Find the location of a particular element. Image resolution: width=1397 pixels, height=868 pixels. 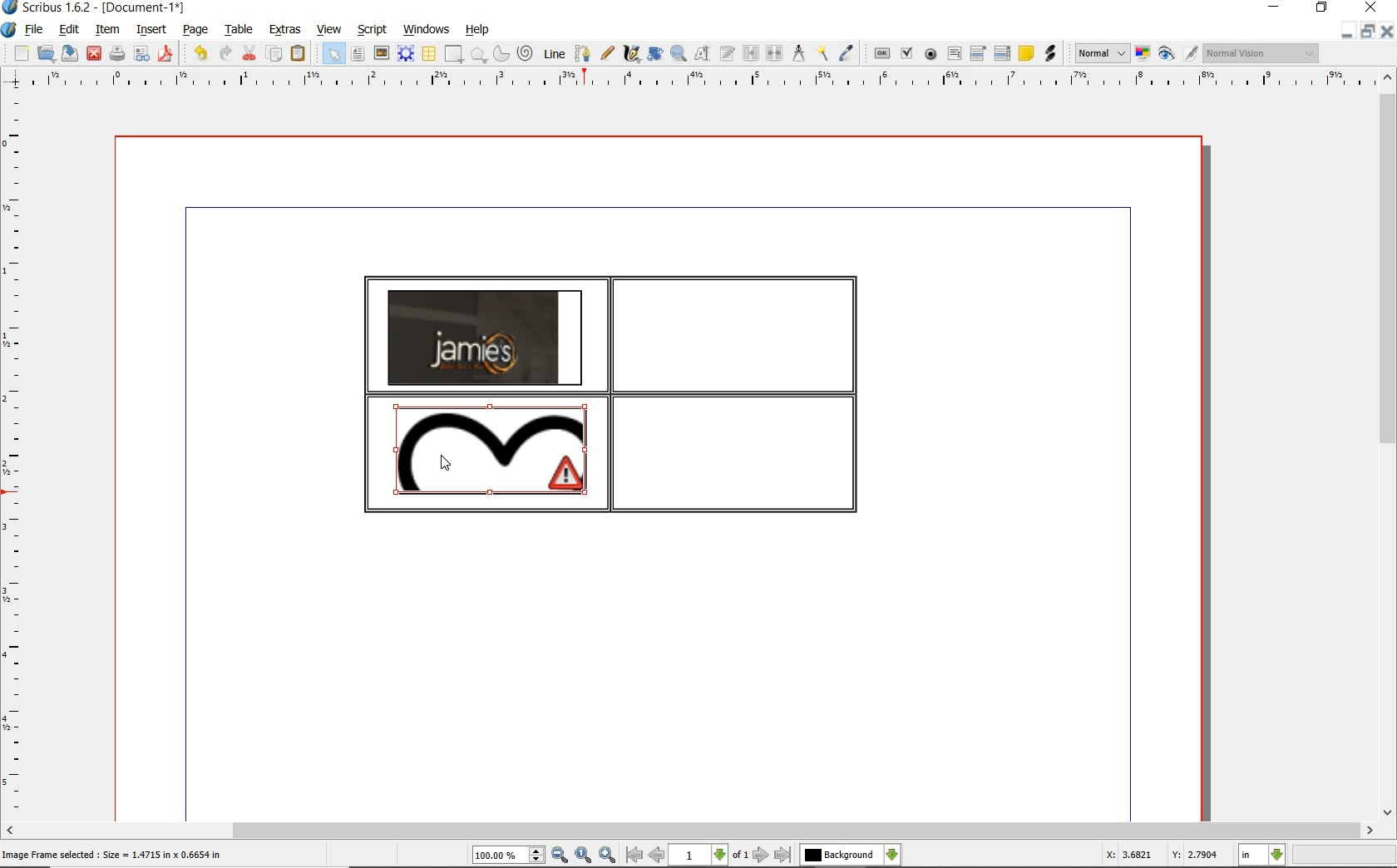

unlink text frames is located at coordinates (776, 53).